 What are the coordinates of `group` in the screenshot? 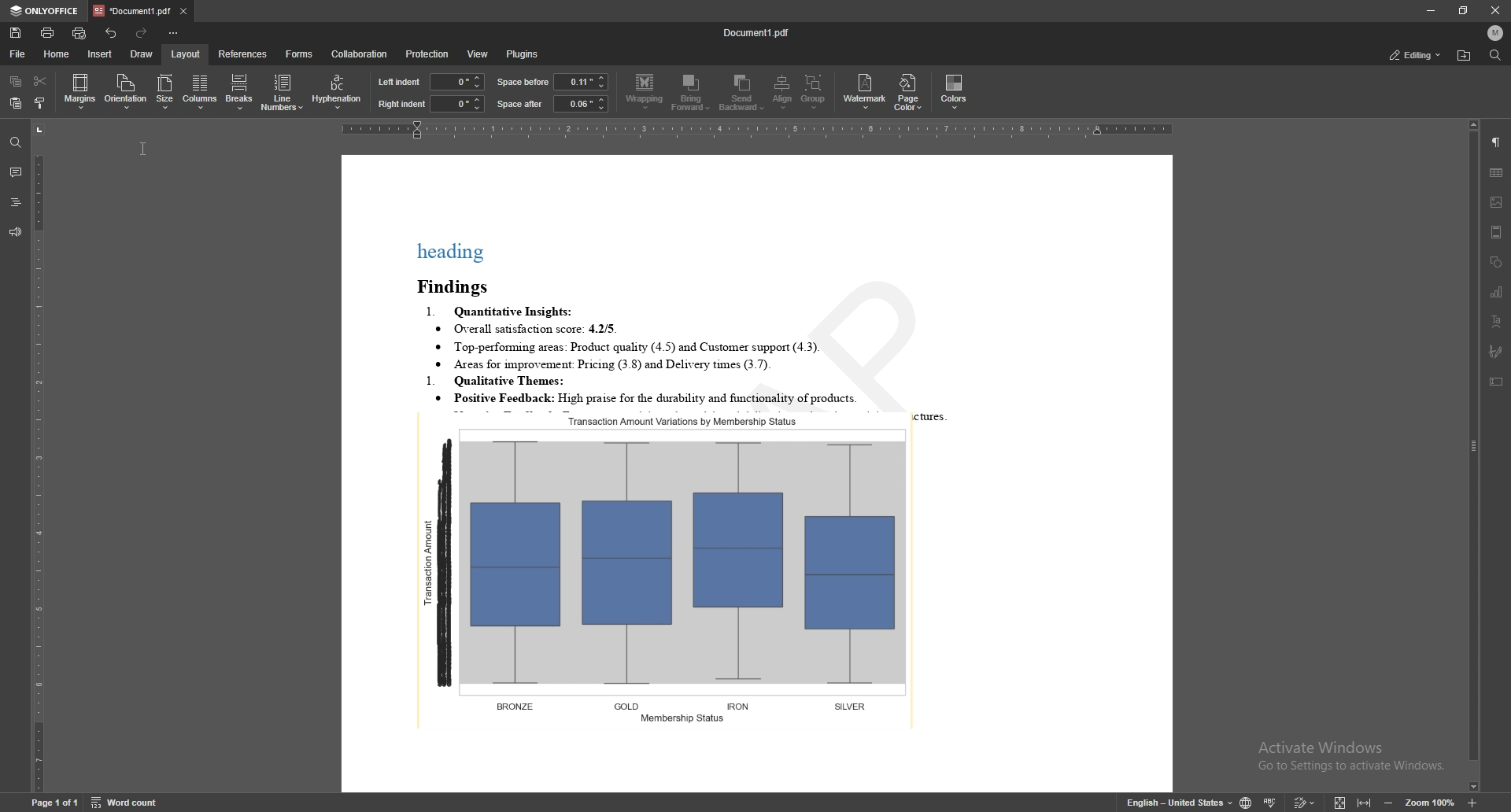 It's located at (813, 91).